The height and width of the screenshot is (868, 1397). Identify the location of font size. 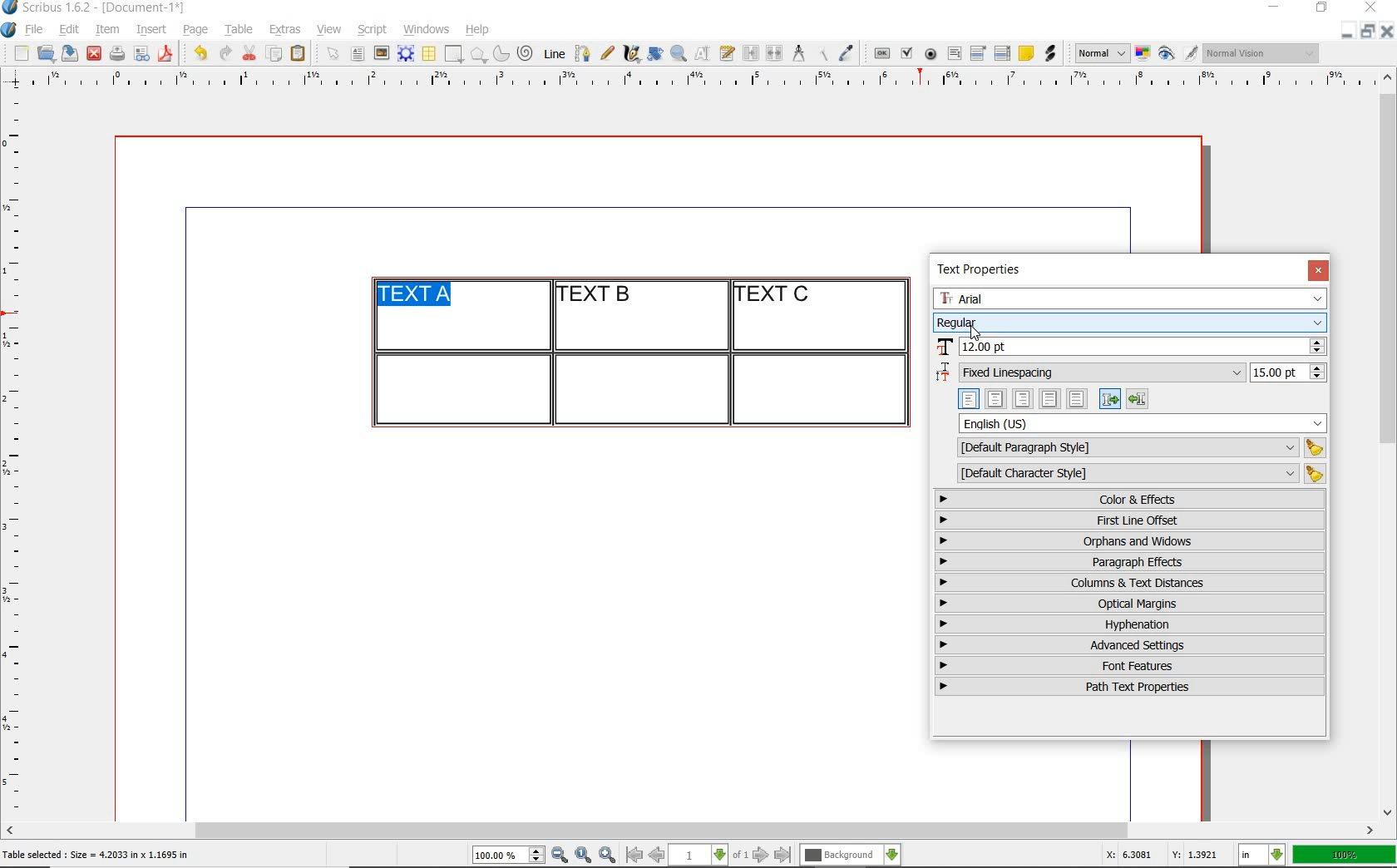
(1130, 348).